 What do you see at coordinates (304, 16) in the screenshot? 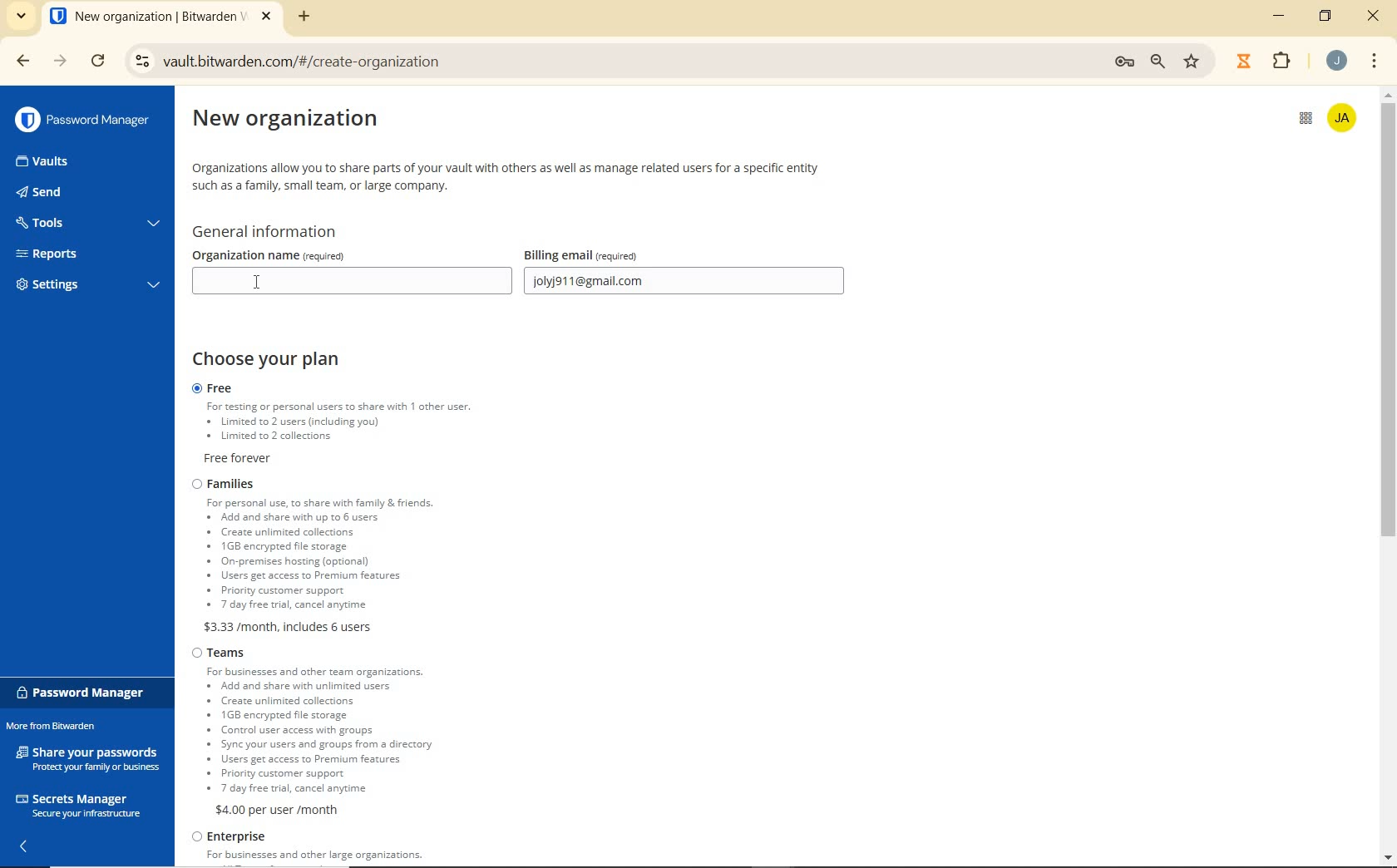
I see `add tab` at bounding box center [304, 16].